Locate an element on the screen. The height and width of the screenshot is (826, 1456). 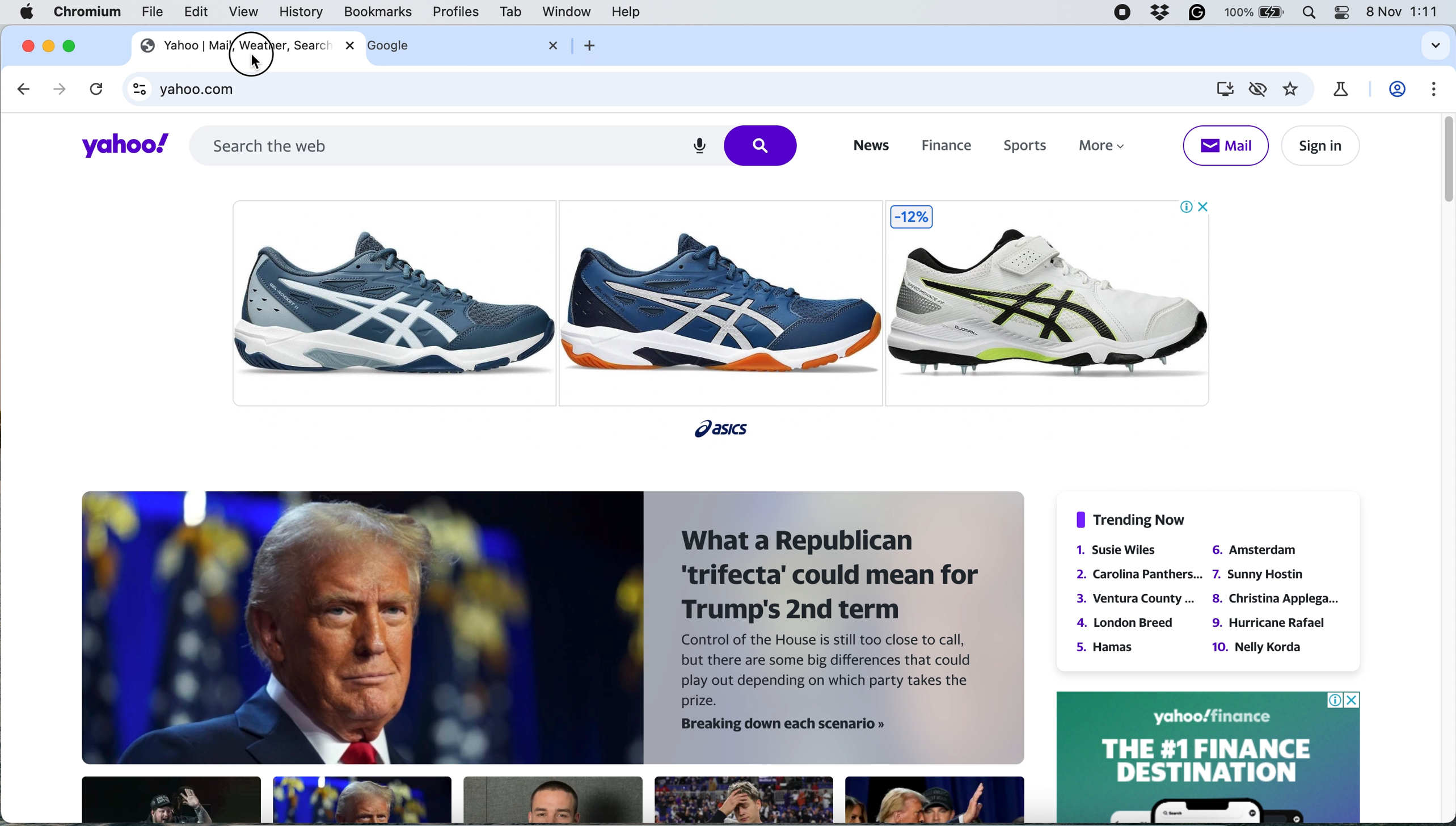
screen recorder is located at coordinates (1124, 14).